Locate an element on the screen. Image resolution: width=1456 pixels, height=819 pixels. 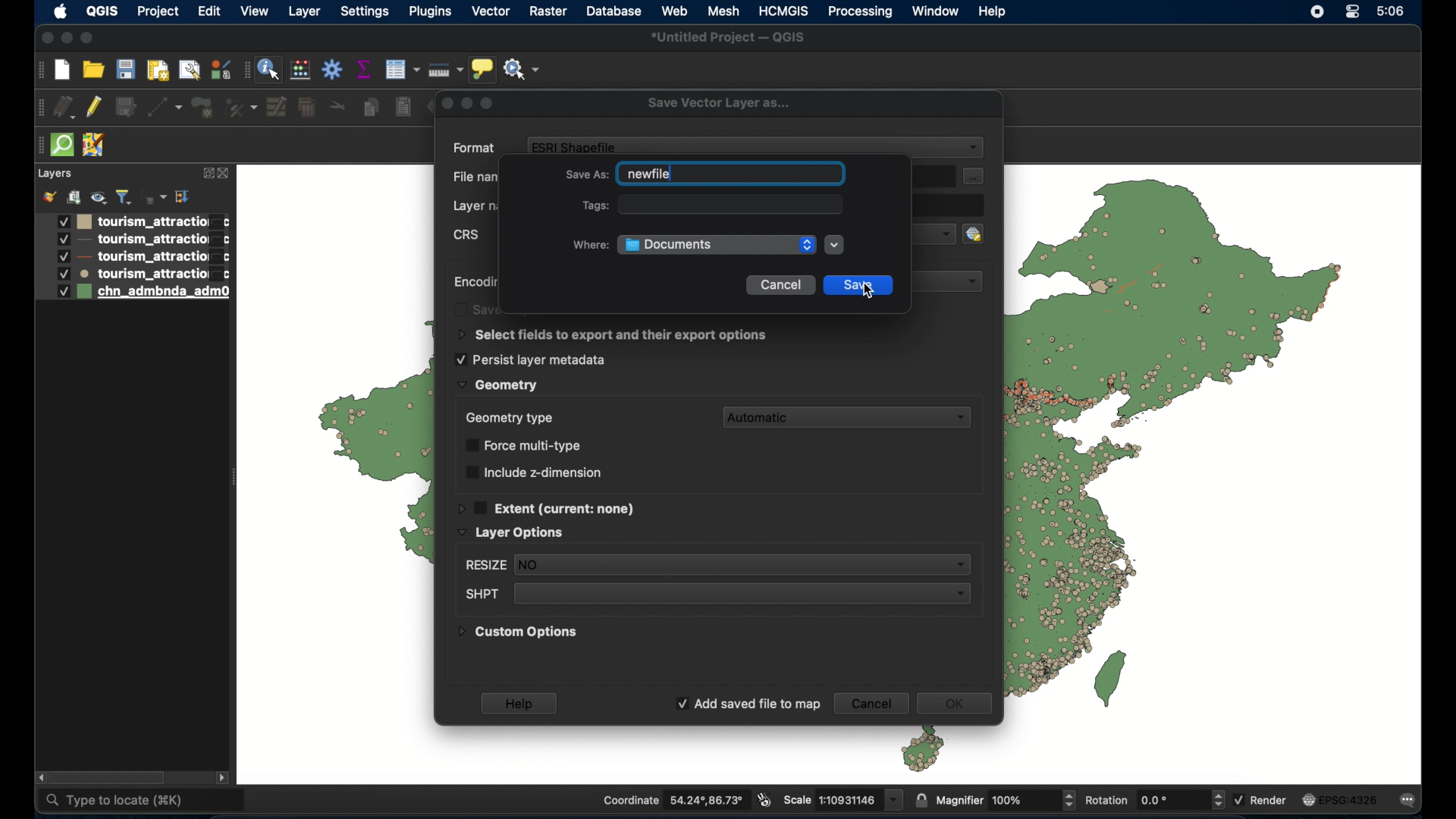
view is located at coordinates (256, 12).